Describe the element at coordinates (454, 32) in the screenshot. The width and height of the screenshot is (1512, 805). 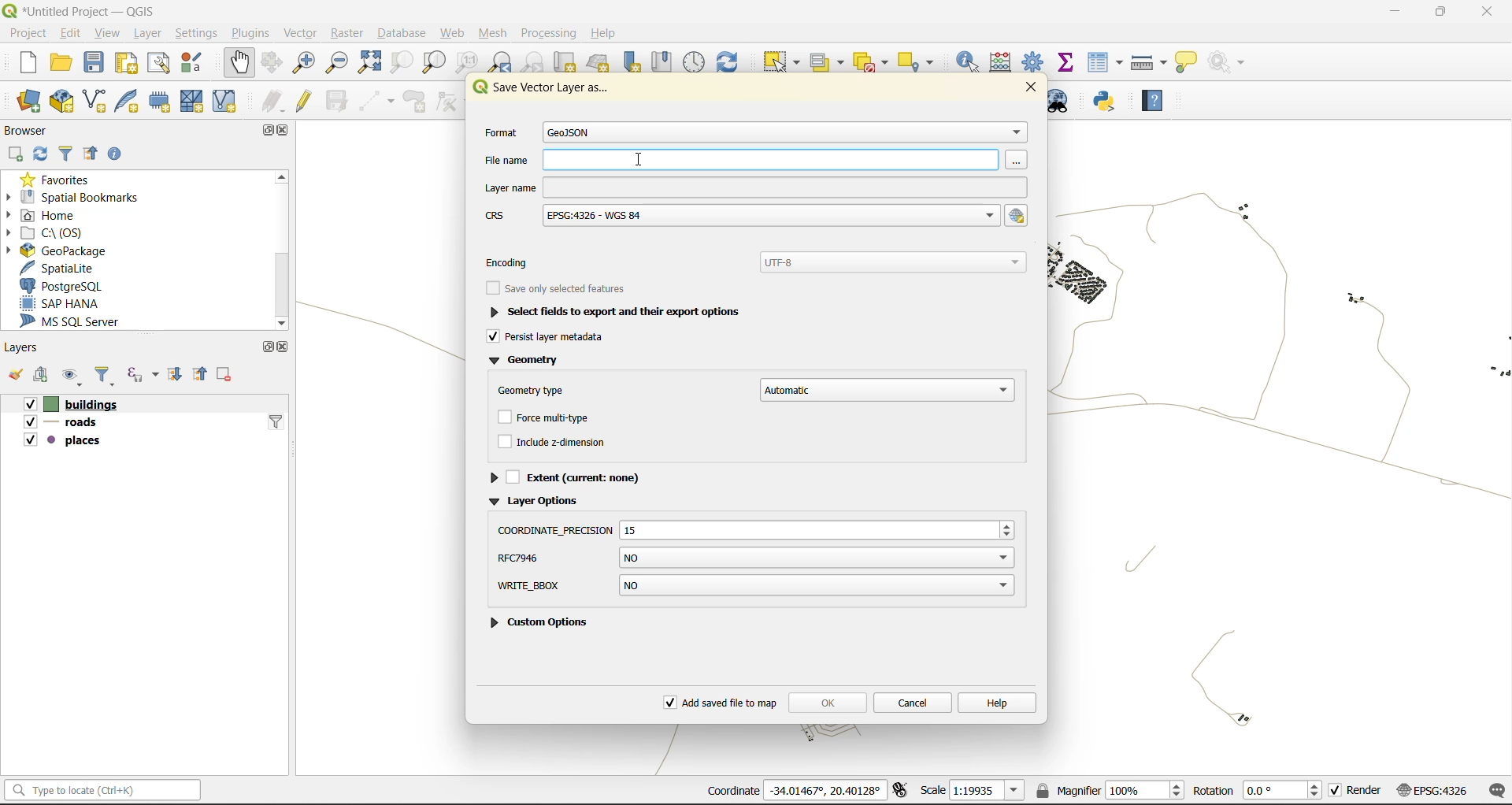
I see `web` at that location.